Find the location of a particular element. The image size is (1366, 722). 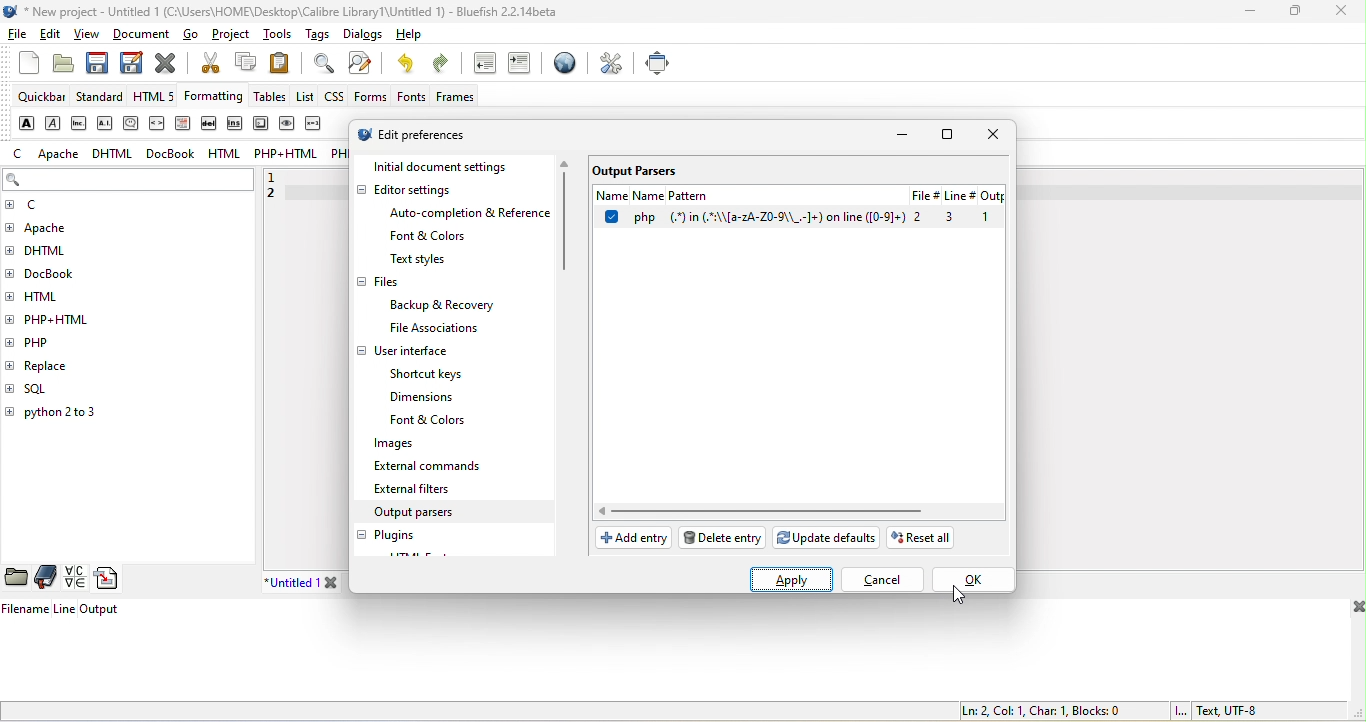

snippets is located at coordinates (111, 579).